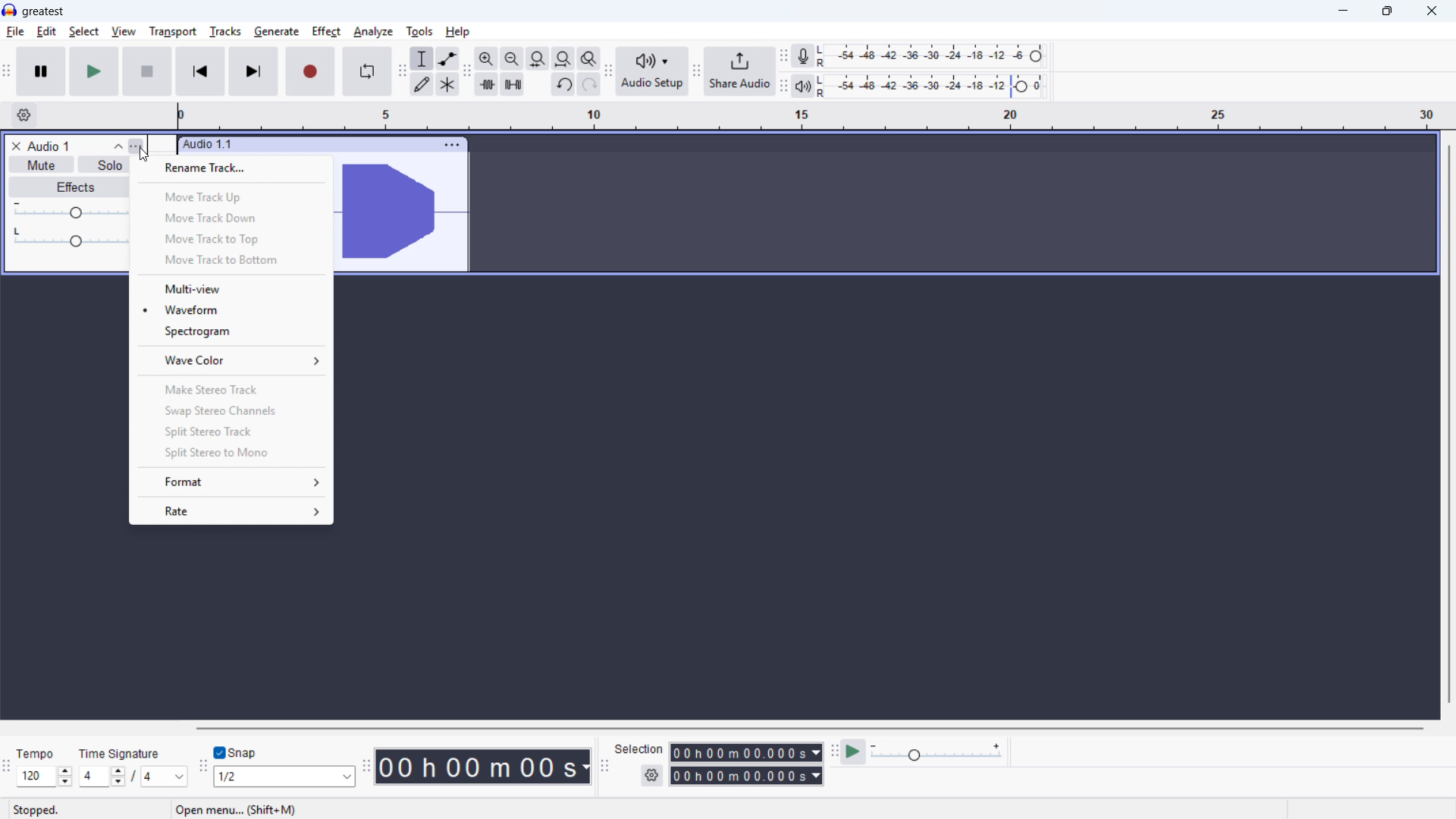  I want to click on click to drag, so click(338, 144).